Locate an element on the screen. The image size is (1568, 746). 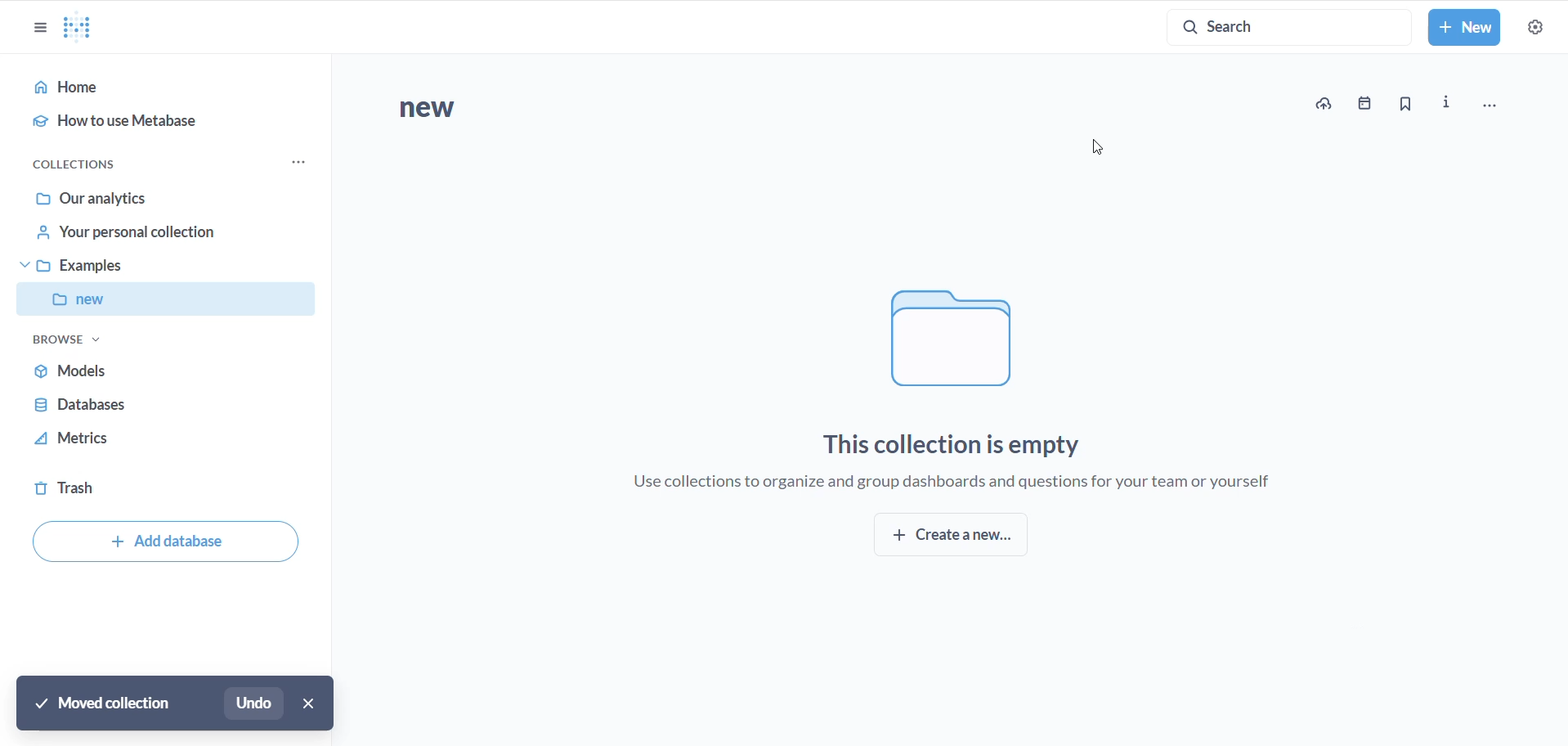
LOGO is located at coordinates (84, 27).